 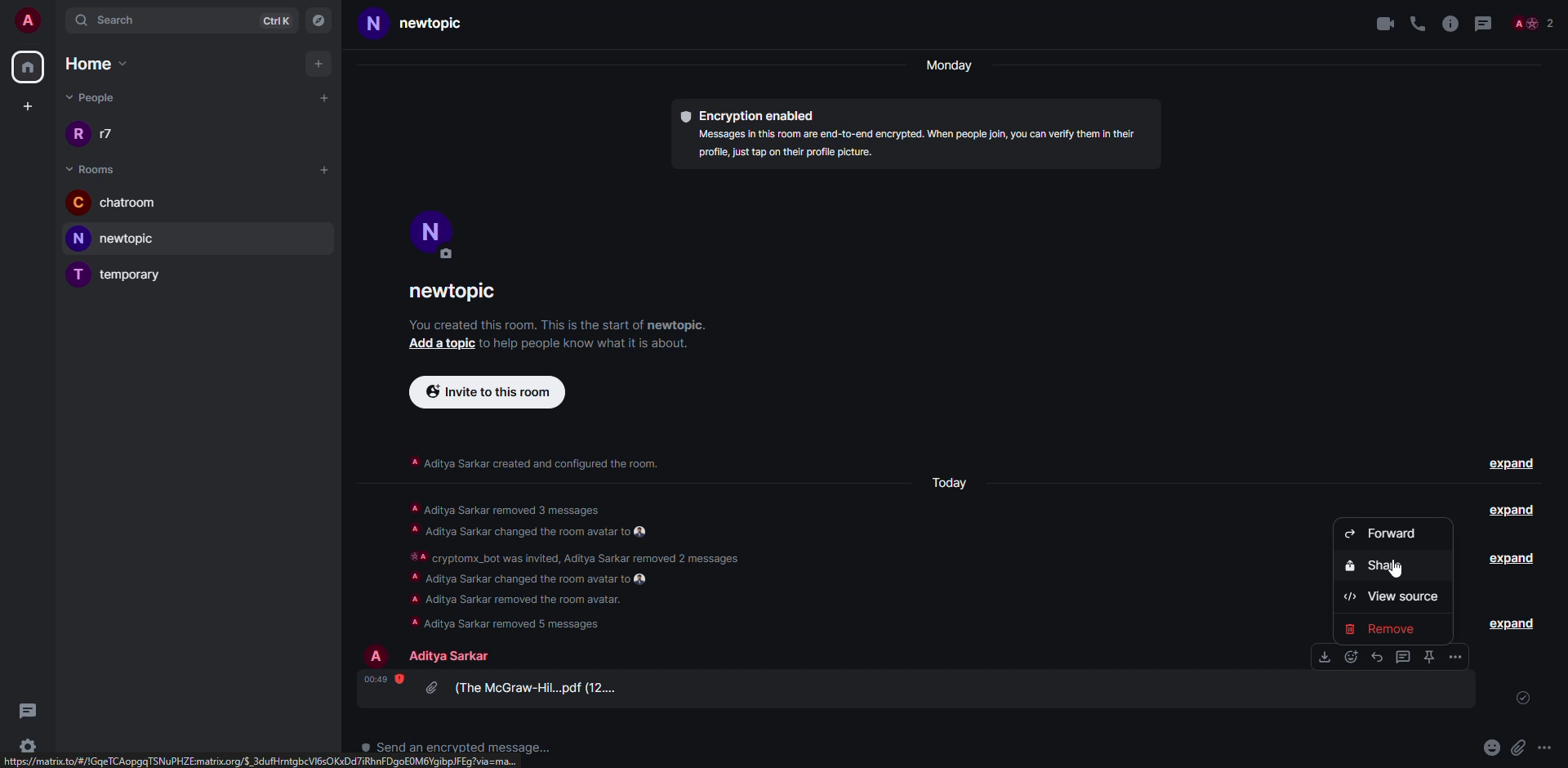 I want to click on time, so click(x=379, y=678).